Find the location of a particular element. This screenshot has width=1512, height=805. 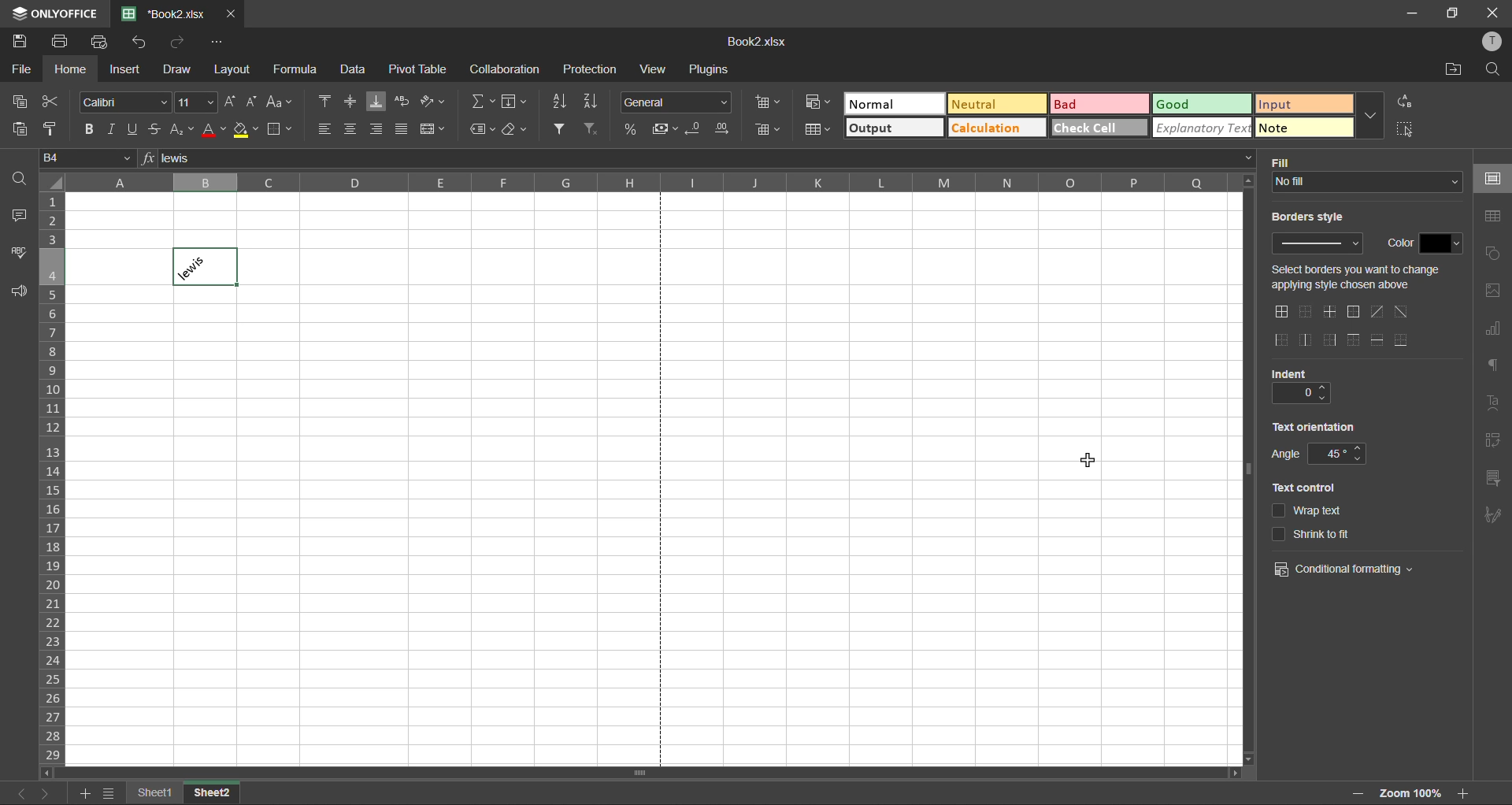

input border style is located at coordinates (1317, 245).